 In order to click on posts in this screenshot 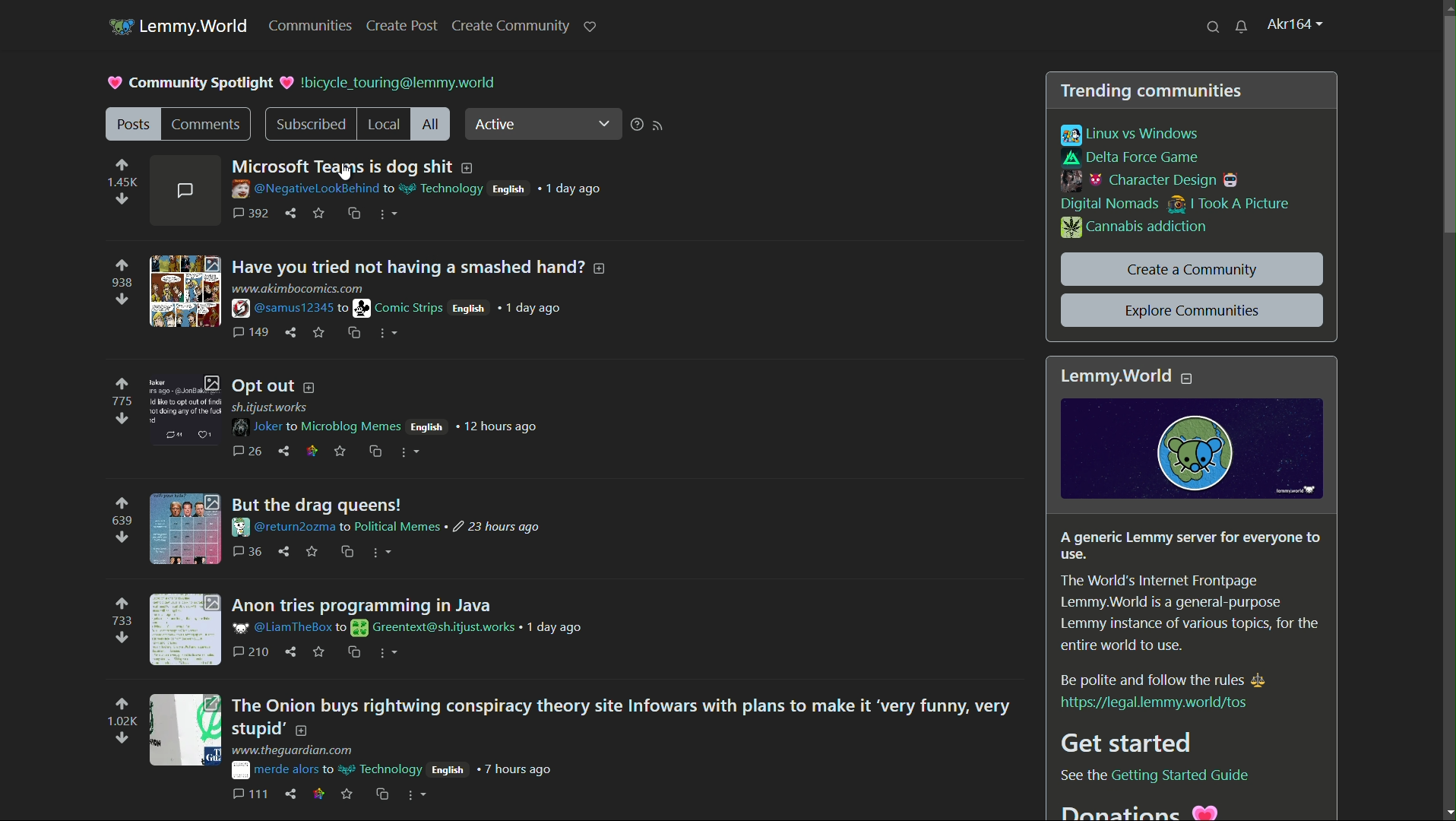, I will do `click(132, 123)`.